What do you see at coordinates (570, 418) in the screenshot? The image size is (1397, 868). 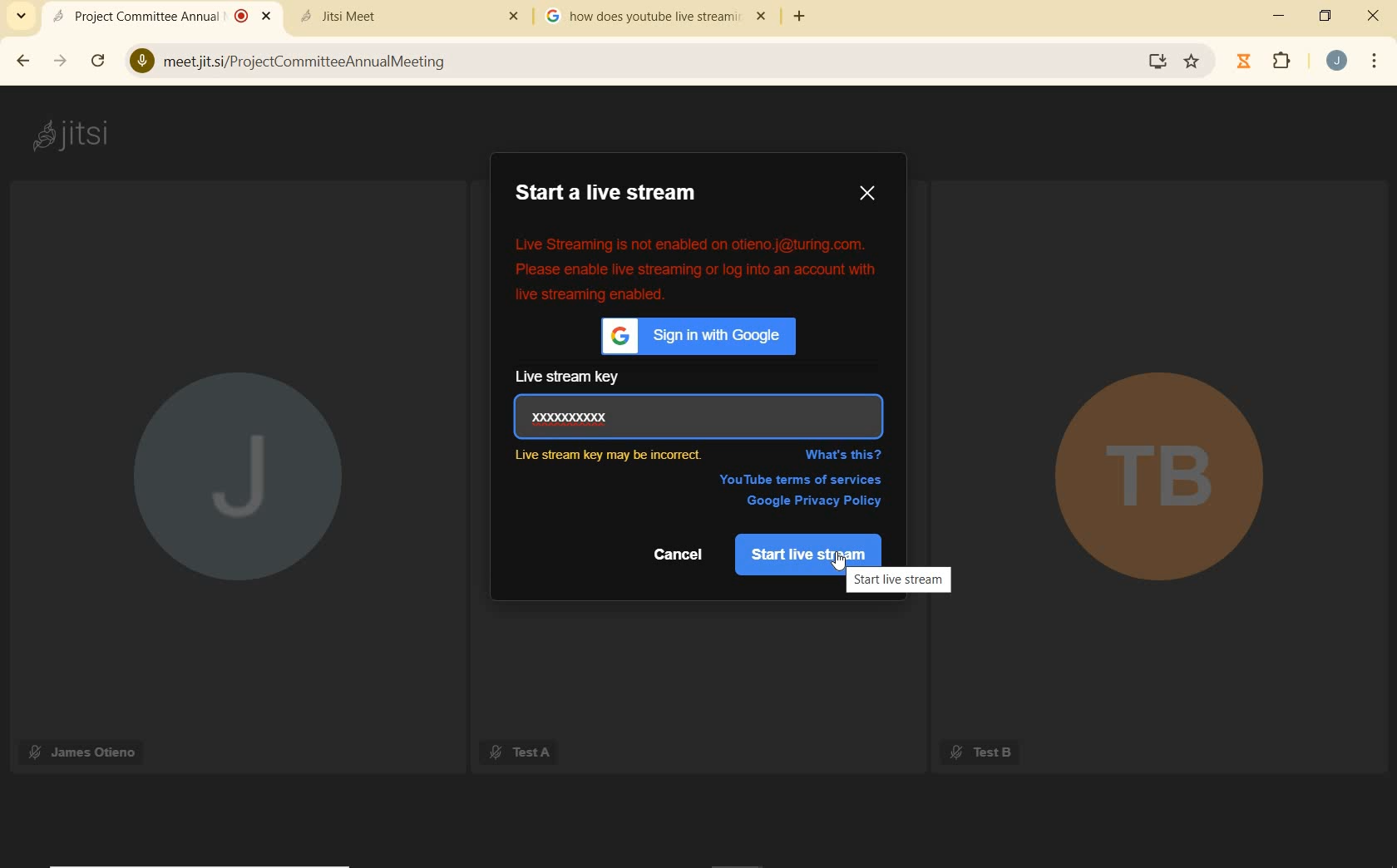 I see `live stream key` at bounding box center [570, 418].